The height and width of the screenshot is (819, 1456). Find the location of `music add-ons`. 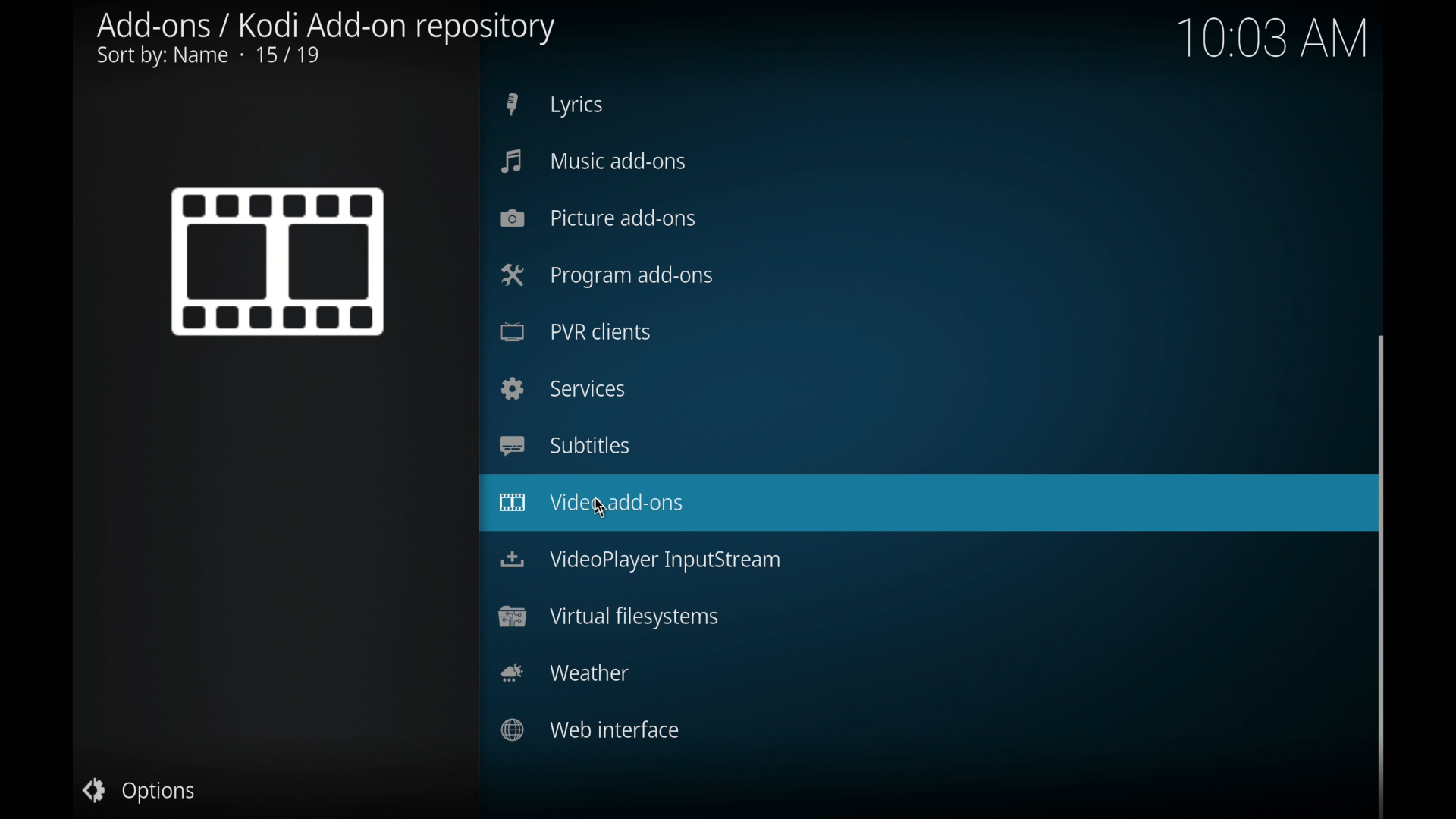

music add-ons is located at coordinates (595, 162).